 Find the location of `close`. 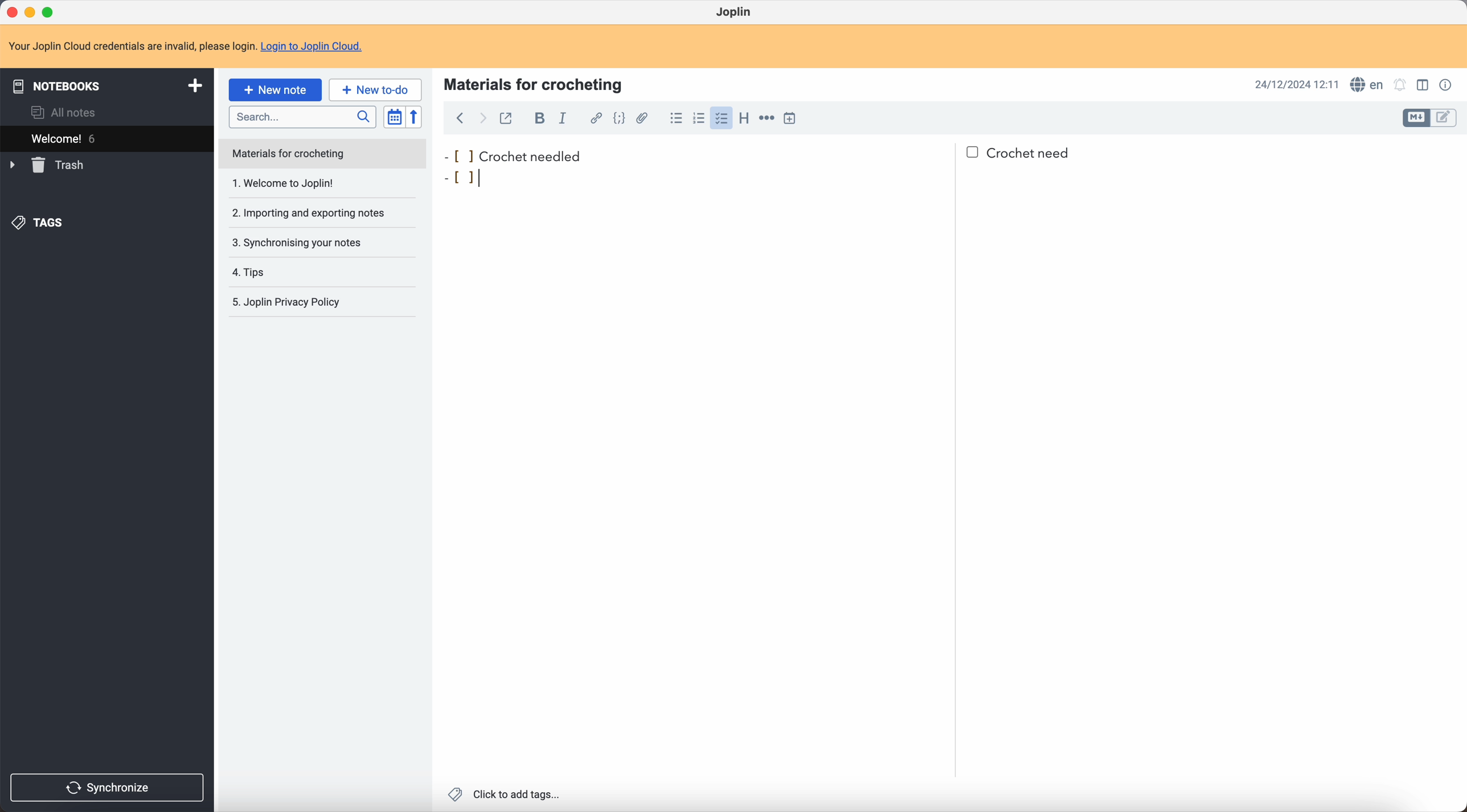

close is located at coordinates (14, 12).